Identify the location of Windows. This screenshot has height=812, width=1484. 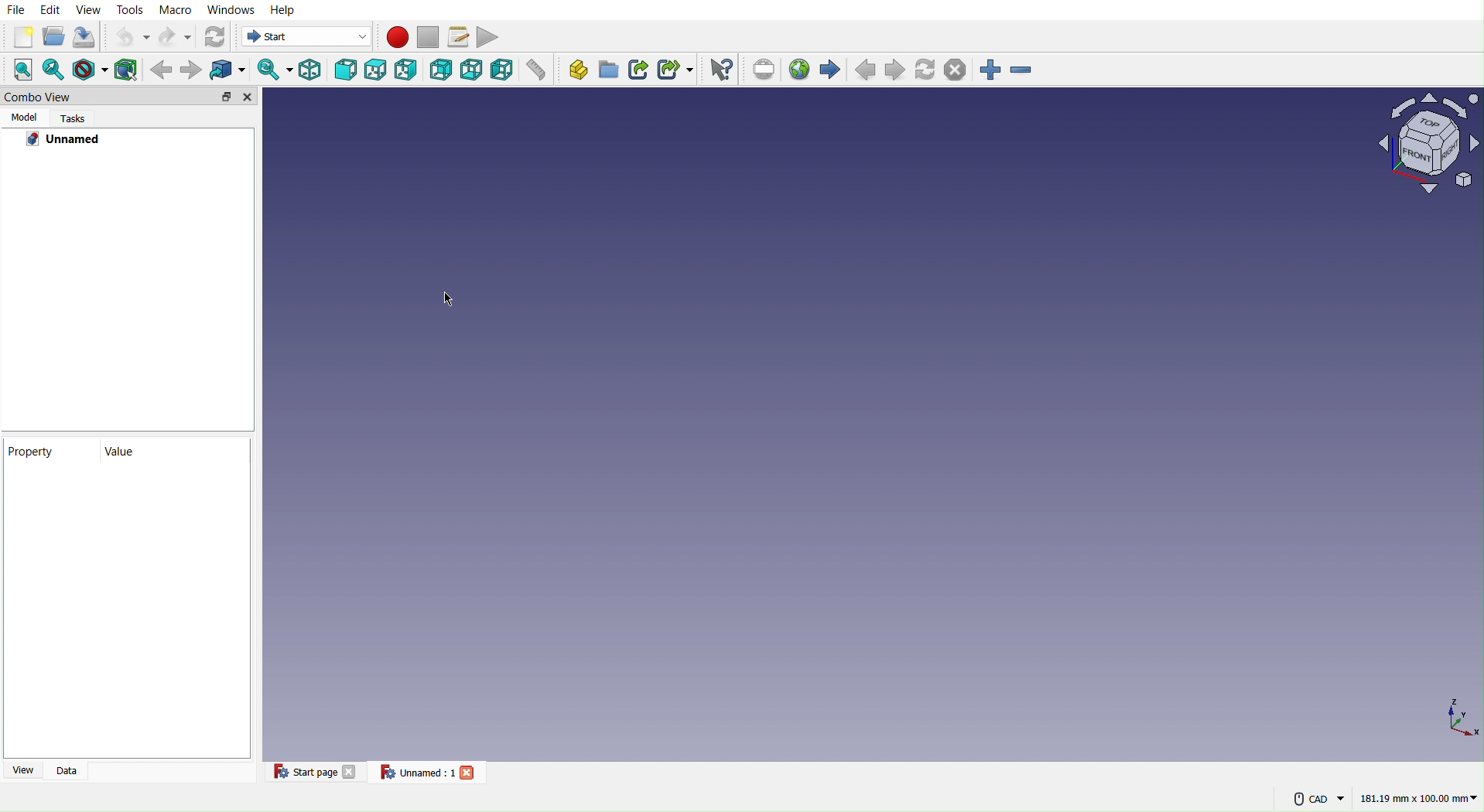
(232, 11).